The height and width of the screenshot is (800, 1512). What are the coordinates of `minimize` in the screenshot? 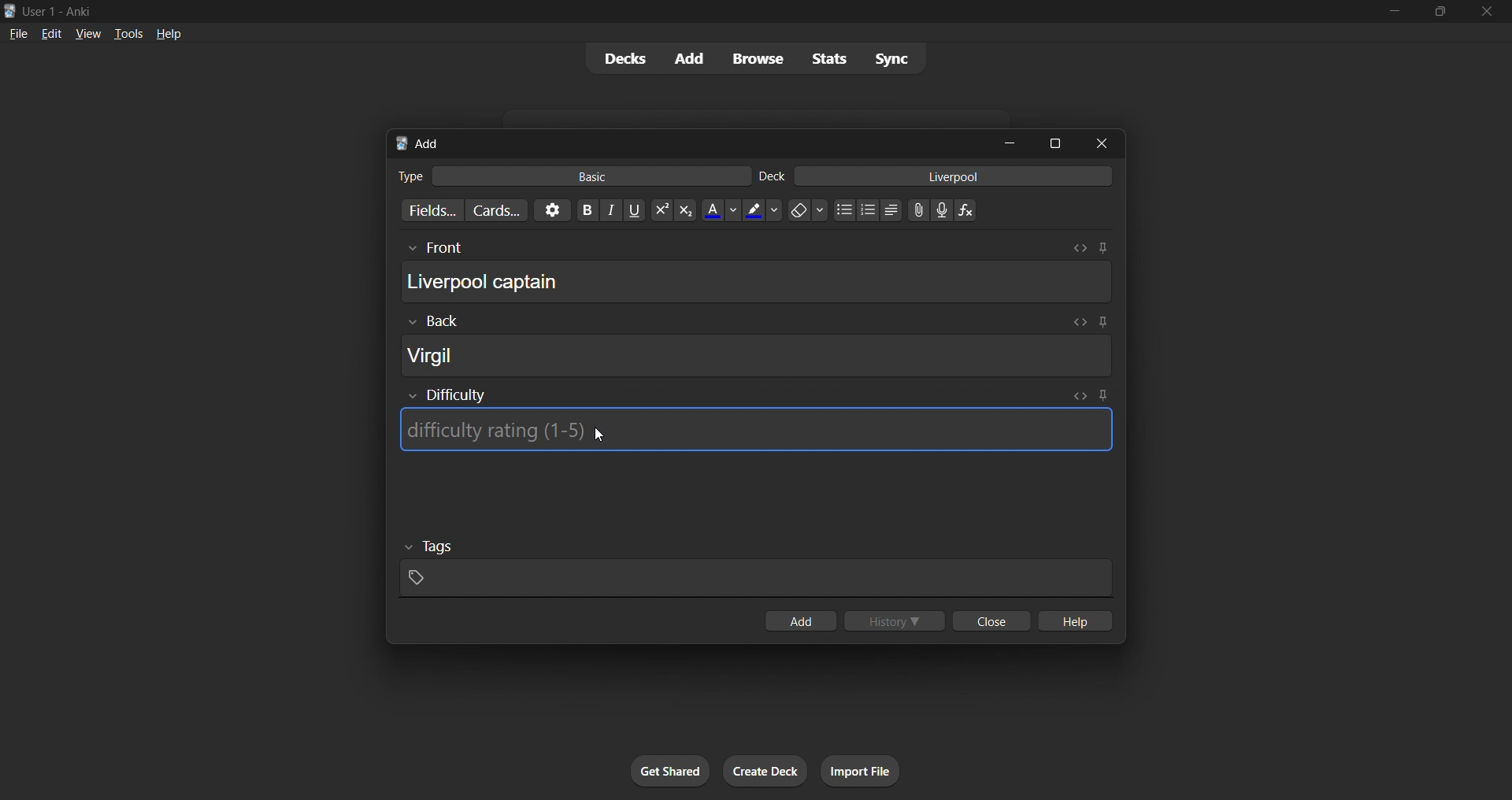 It's located at (1010, 143).